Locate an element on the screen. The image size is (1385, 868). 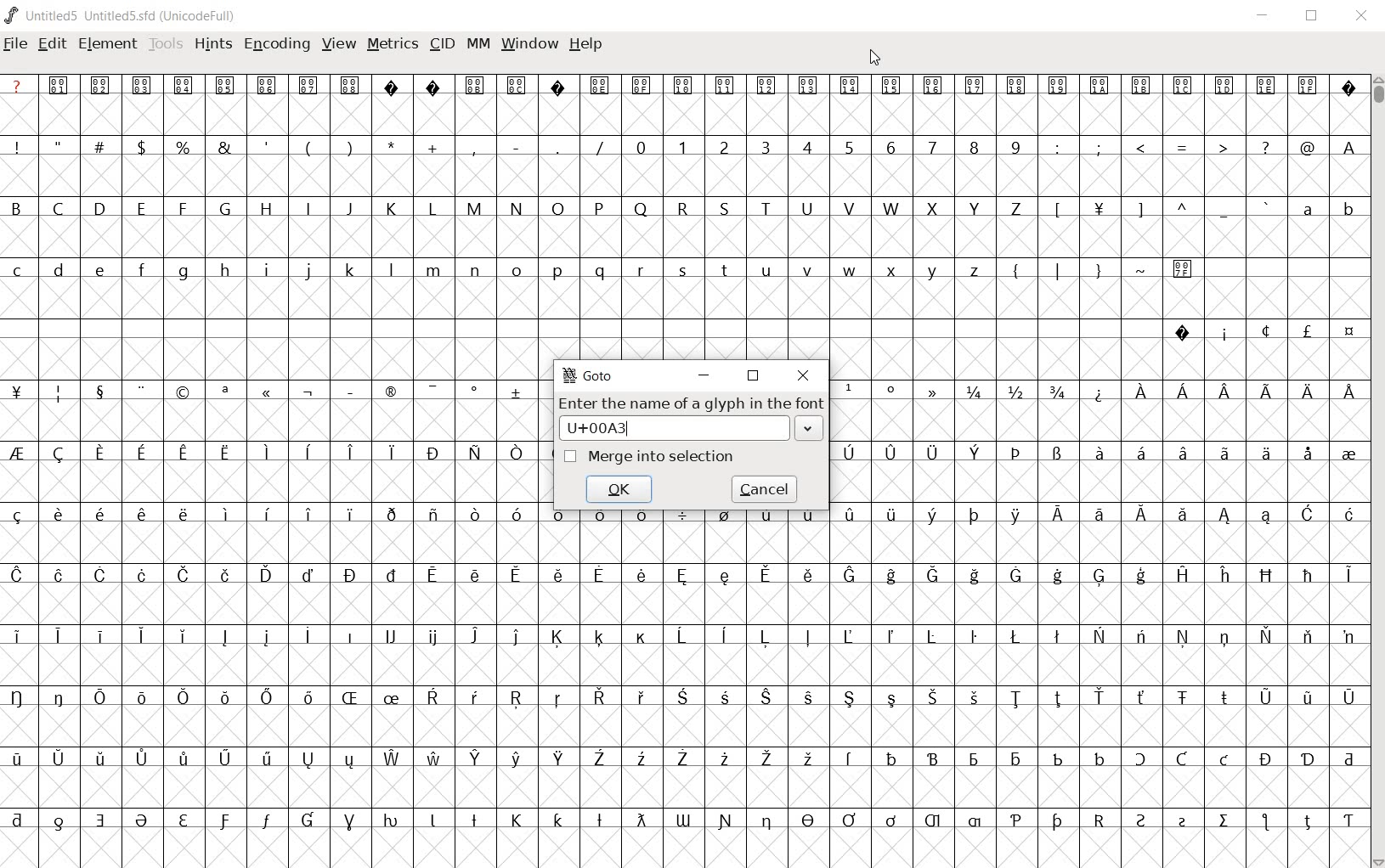
Symbol is located at coordinates (20, 759).